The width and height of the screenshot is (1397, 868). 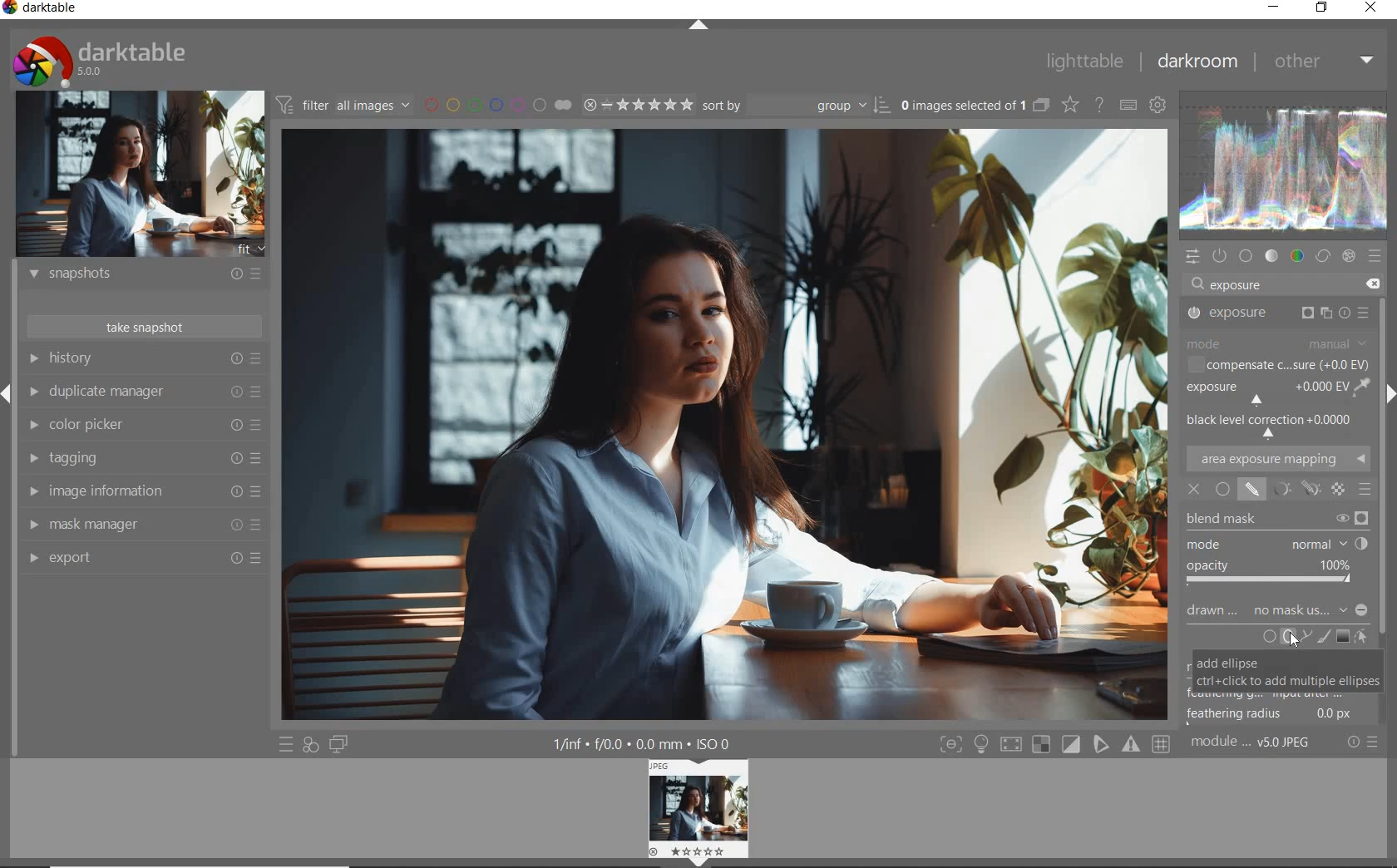 I want to click on quick access for applying any of your styles, so click(x=309, y=746).